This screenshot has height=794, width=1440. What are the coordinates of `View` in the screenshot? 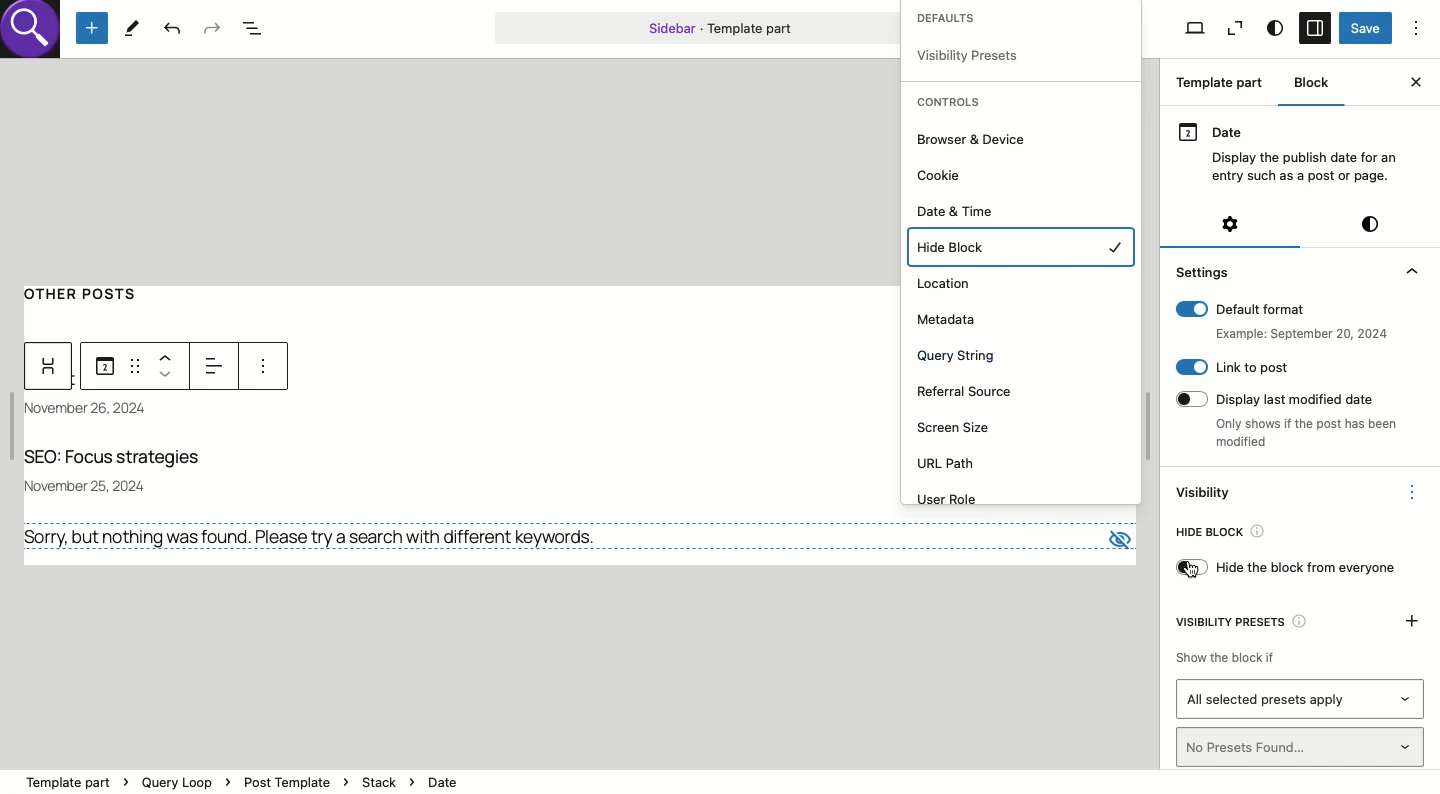 It's located at (1235, 29).